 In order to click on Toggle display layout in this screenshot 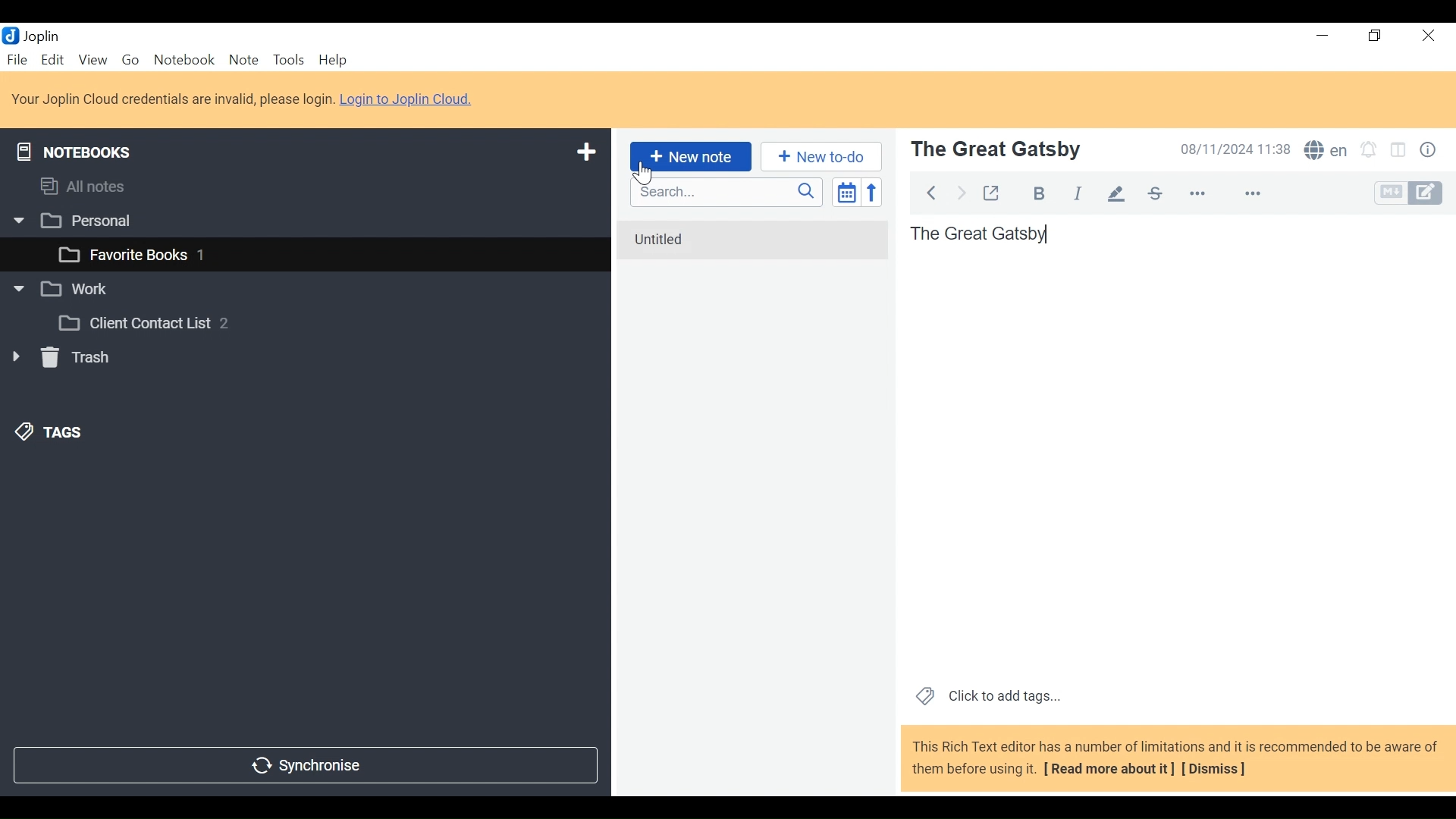, I will do `click(1398, 151)`.